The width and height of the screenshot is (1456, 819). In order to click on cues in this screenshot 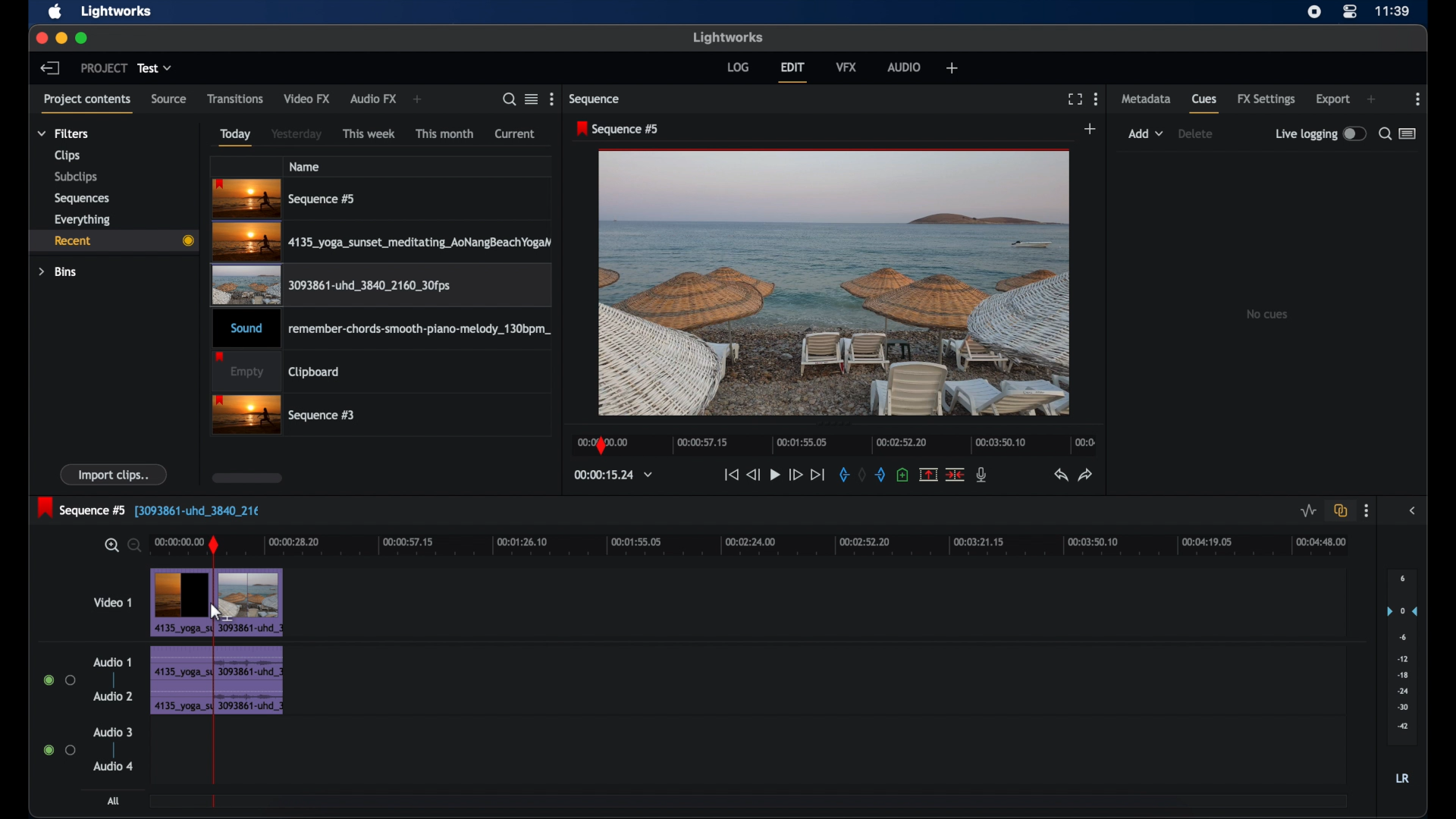, I will do `click(1205, 104)`.